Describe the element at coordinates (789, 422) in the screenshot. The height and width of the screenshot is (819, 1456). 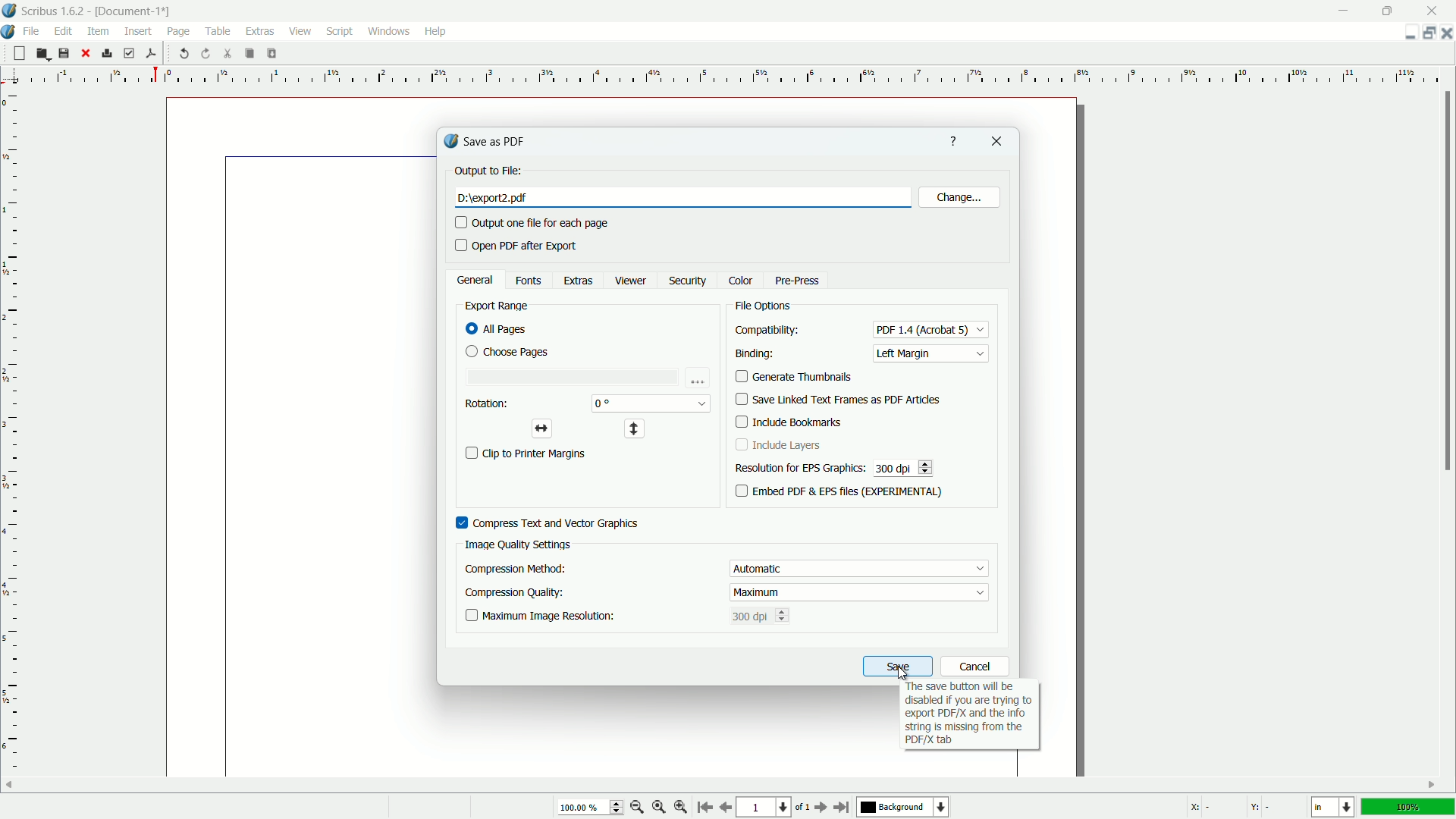
I see `include bookmarks` at that location.